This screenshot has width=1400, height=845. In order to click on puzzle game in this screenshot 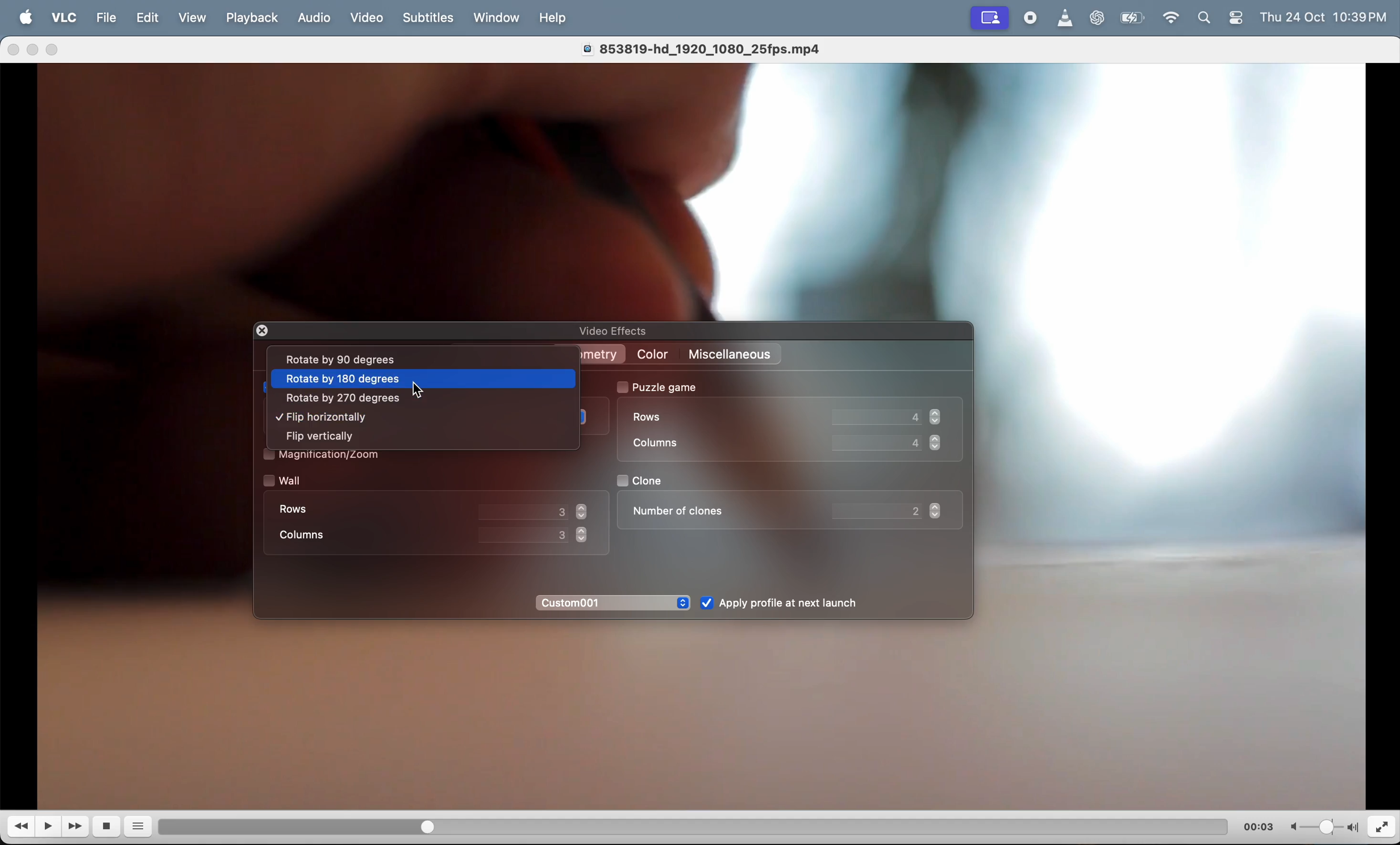, I will do `click(674, 388)`.